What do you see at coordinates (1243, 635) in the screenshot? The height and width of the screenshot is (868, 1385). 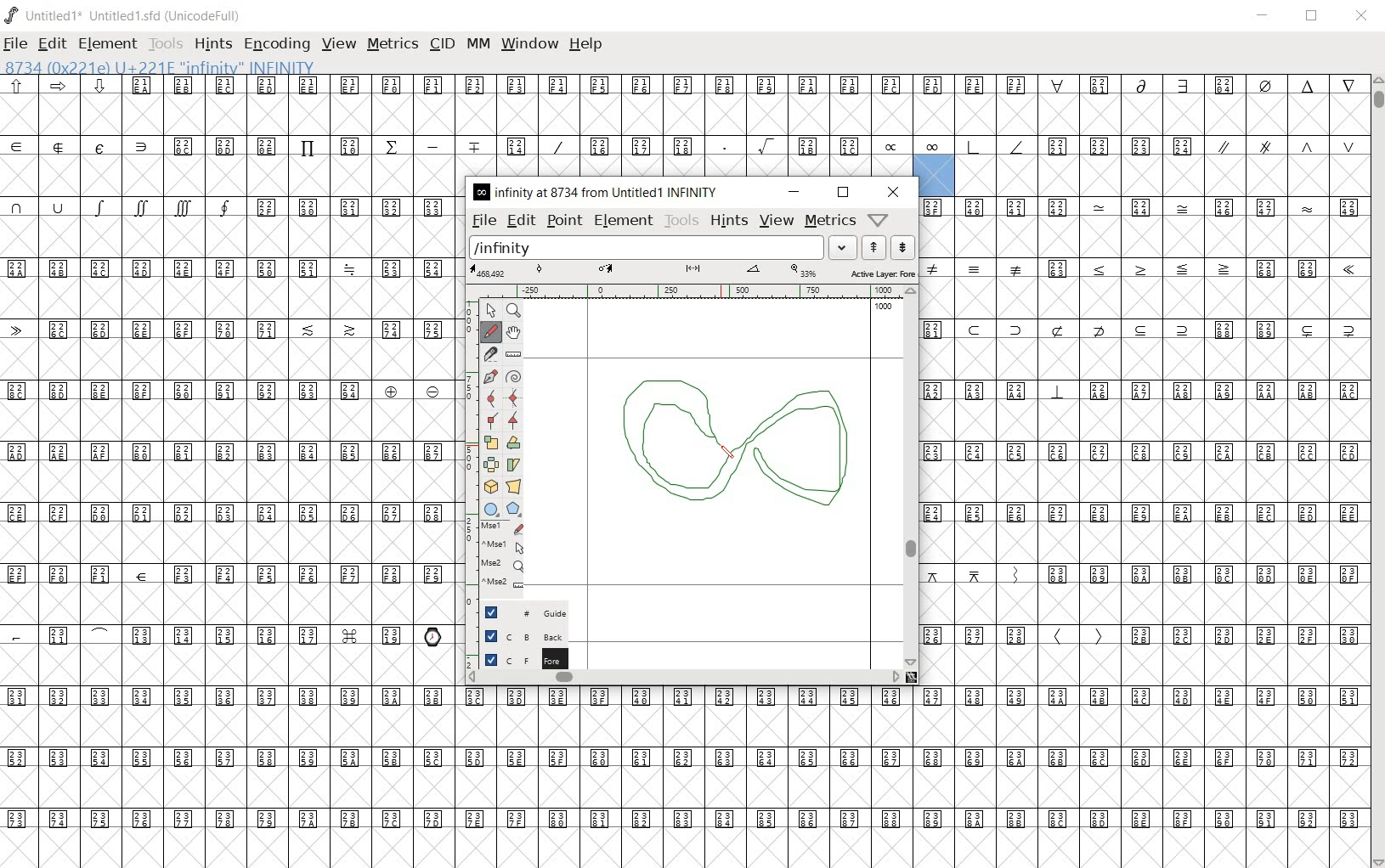 I see `Unicode code points` at bounding box center [1243, 635].